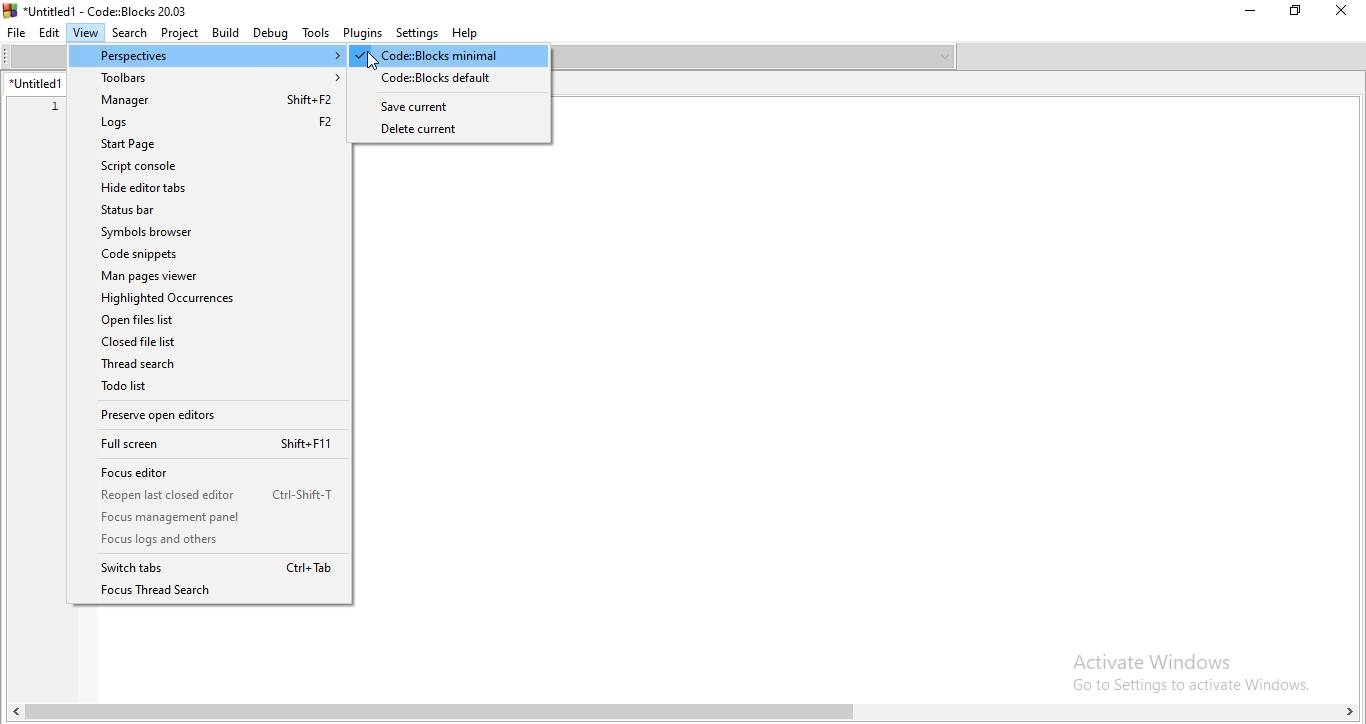  What do you see at coordinates (210, 275) in the screenshot?
I see `Man pages viewer ` at bounding box center [210, 275].